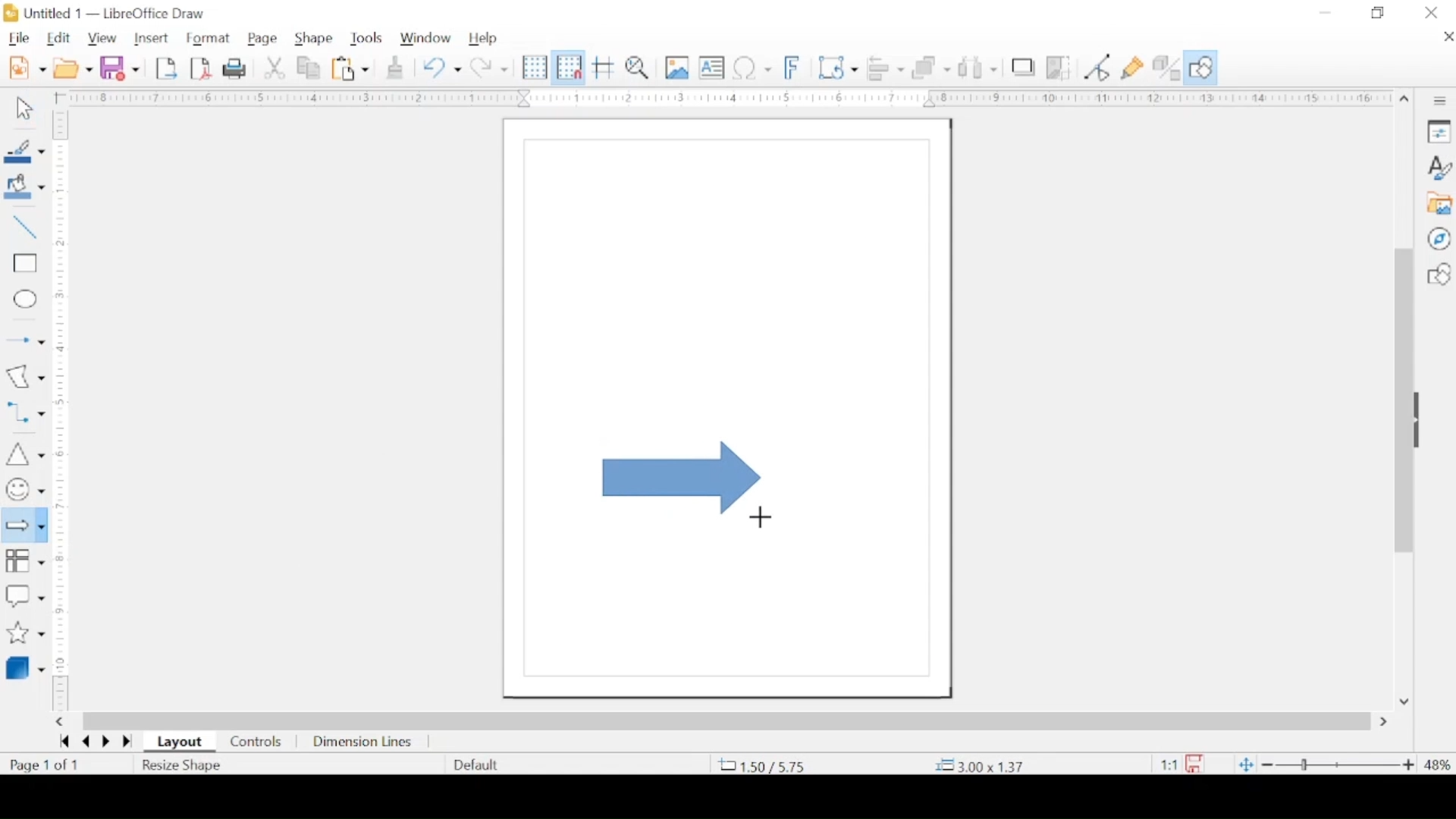 The image size is (1456, 819). What do you see at coordinates (127, 742) in the screenshot?
I see `last` at bounding box center [127, 742].